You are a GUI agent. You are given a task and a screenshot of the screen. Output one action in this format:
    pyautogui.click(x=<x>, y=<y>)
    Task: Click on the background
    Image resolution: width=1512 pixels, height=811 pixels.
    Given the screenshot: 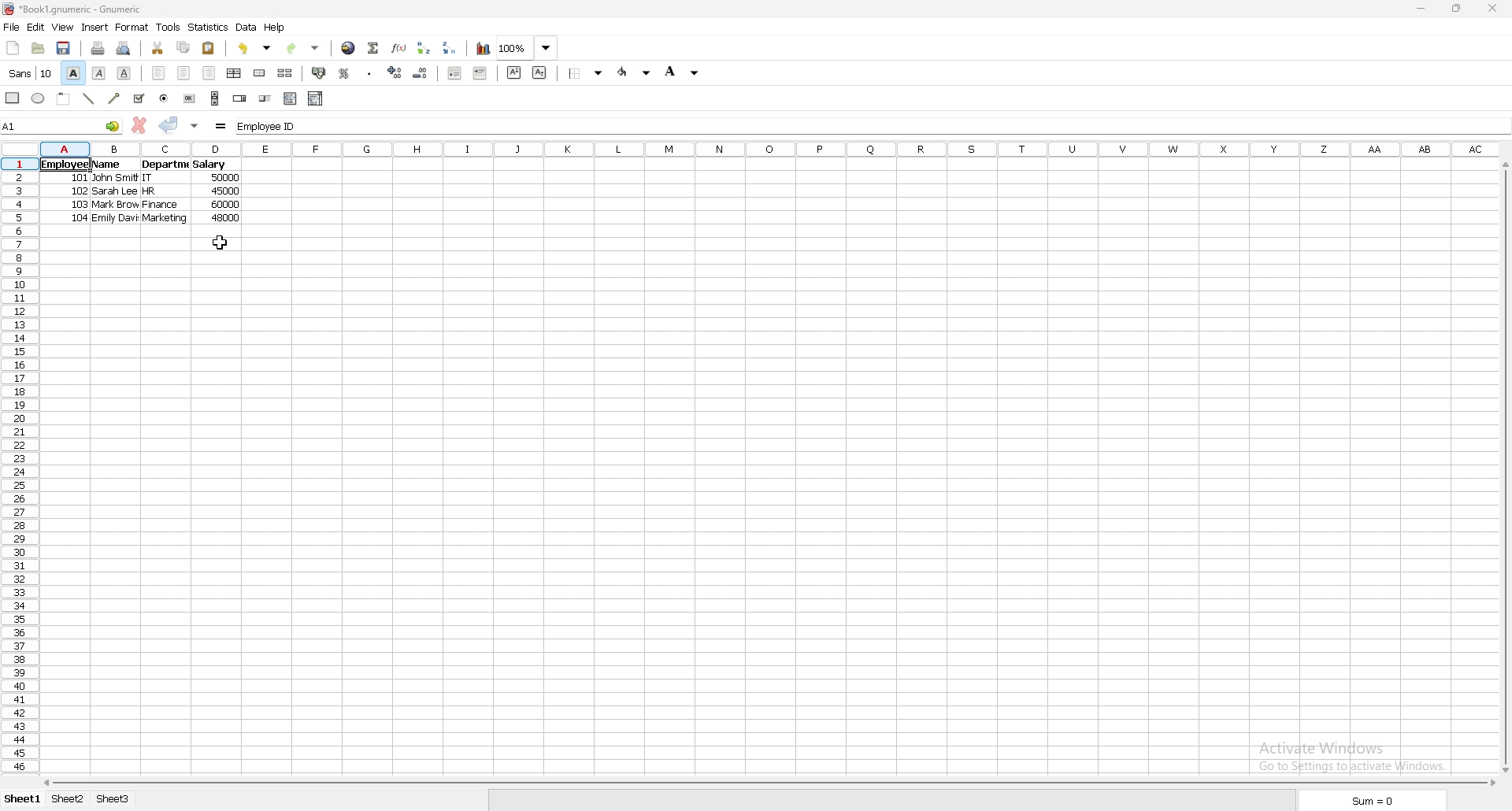 What is the action you would take?
    pyautogui.click(x=685, y=71)
    